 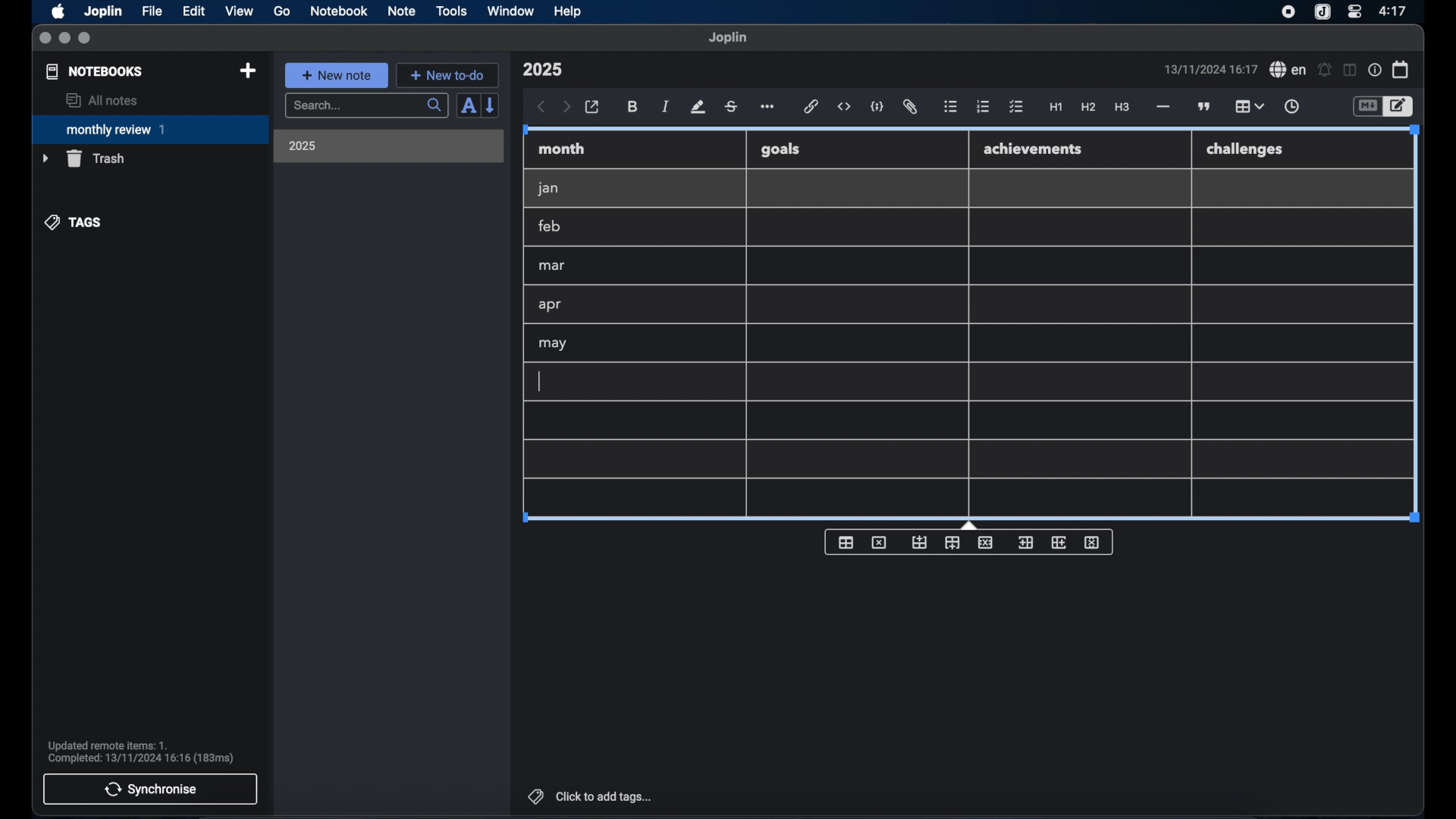 I want to click on month, so click(x=562, y=149).